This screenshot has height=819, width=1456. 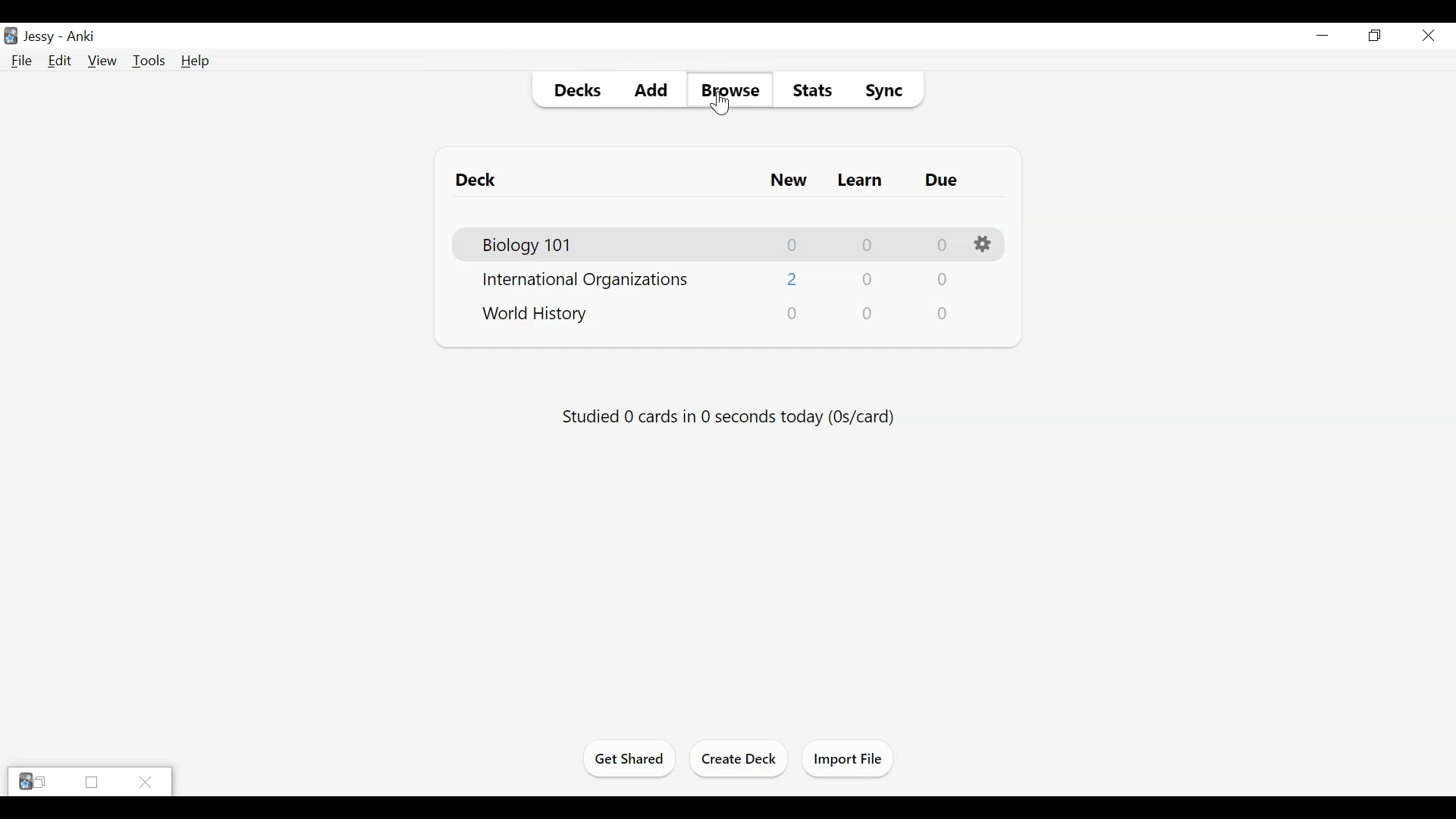 What do you see at coordinates (11, 36) in the screenshot?
I see `Anki Desktop Icon` at bounding box center [11, 36].